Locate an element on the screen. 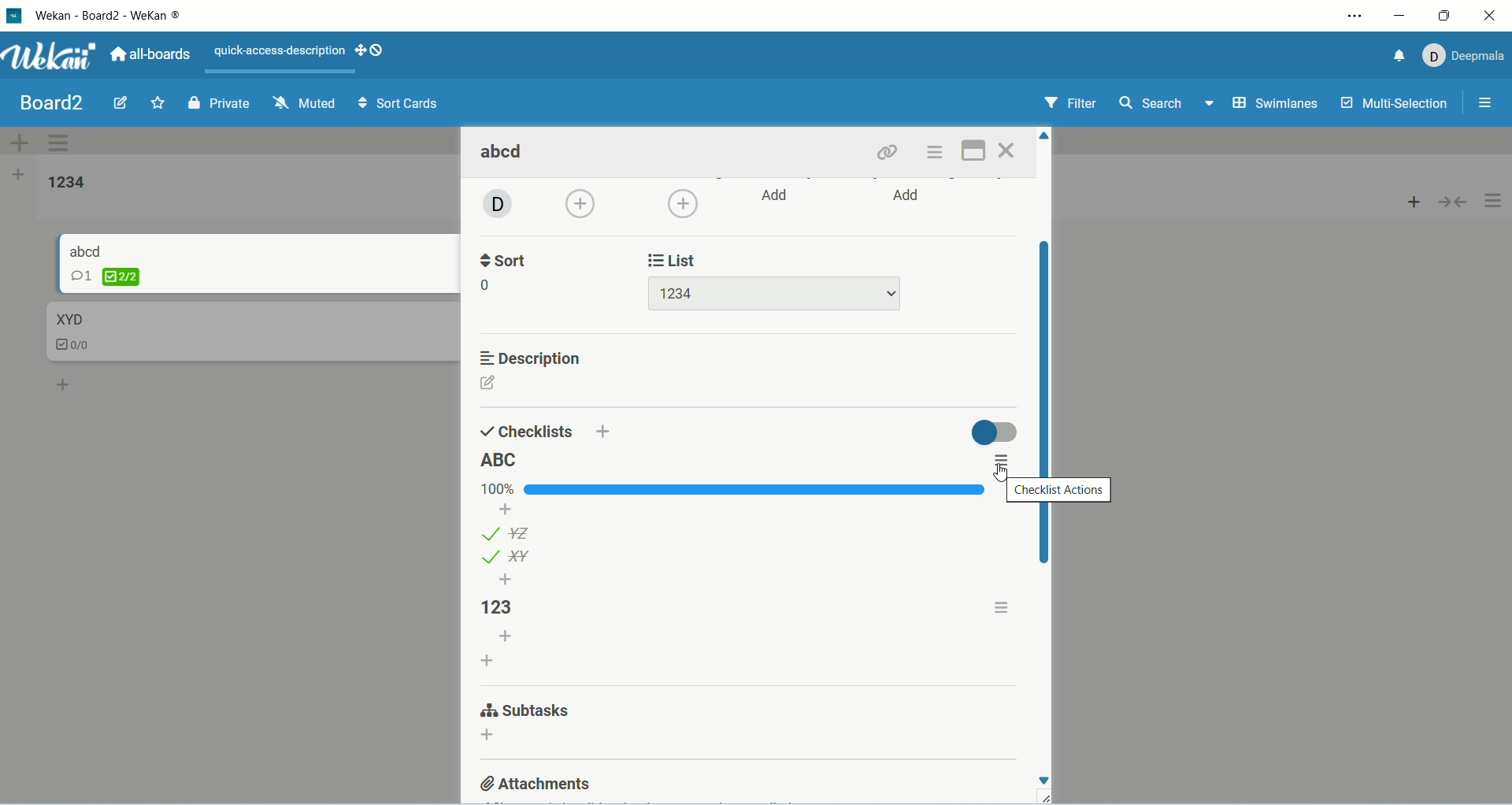 The width and height of the screenshot is (1512, 805). wekan is located at coordinates (49, 58).